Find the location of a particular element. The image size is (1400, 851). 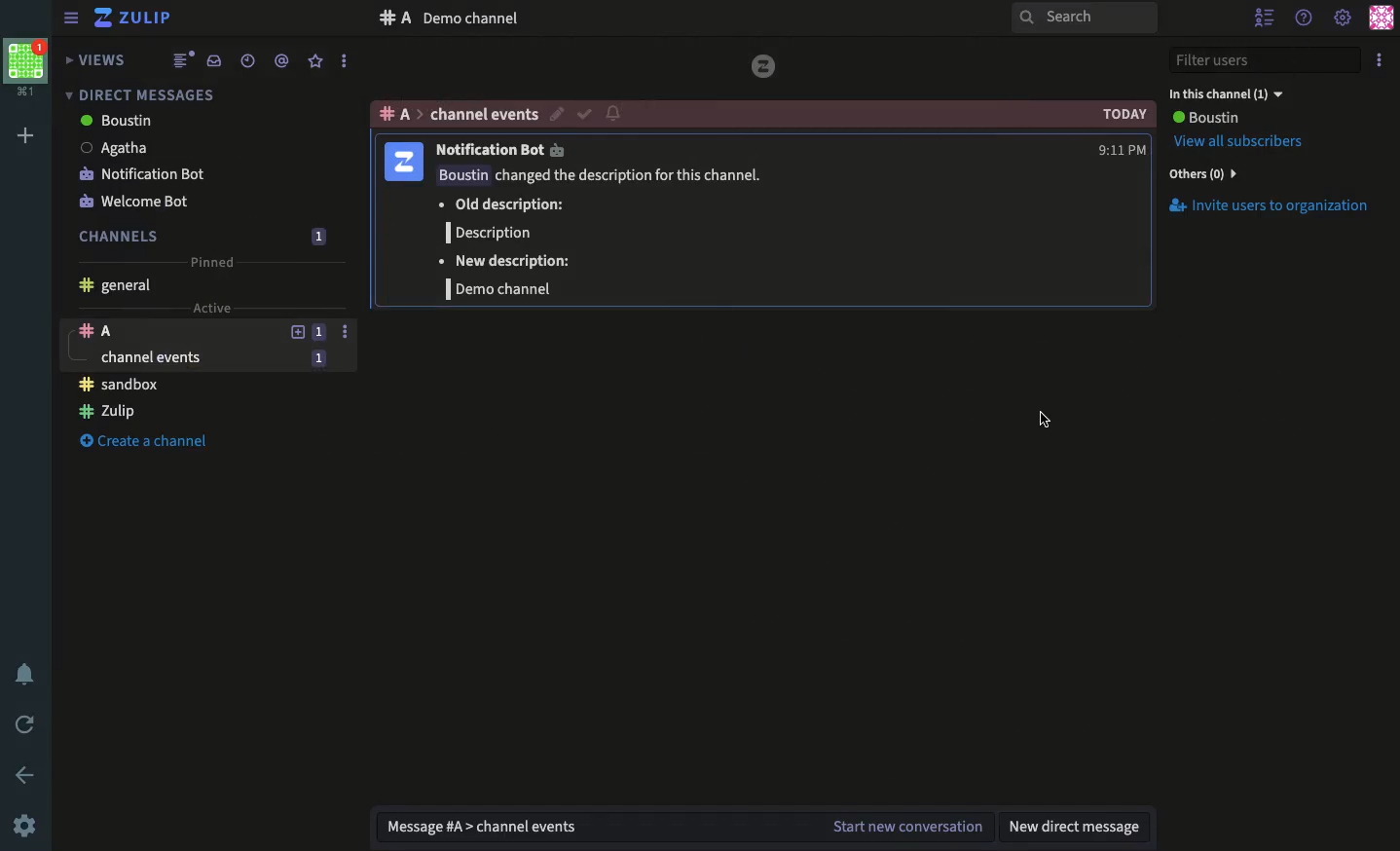

A is located at coordinates (170, 332).